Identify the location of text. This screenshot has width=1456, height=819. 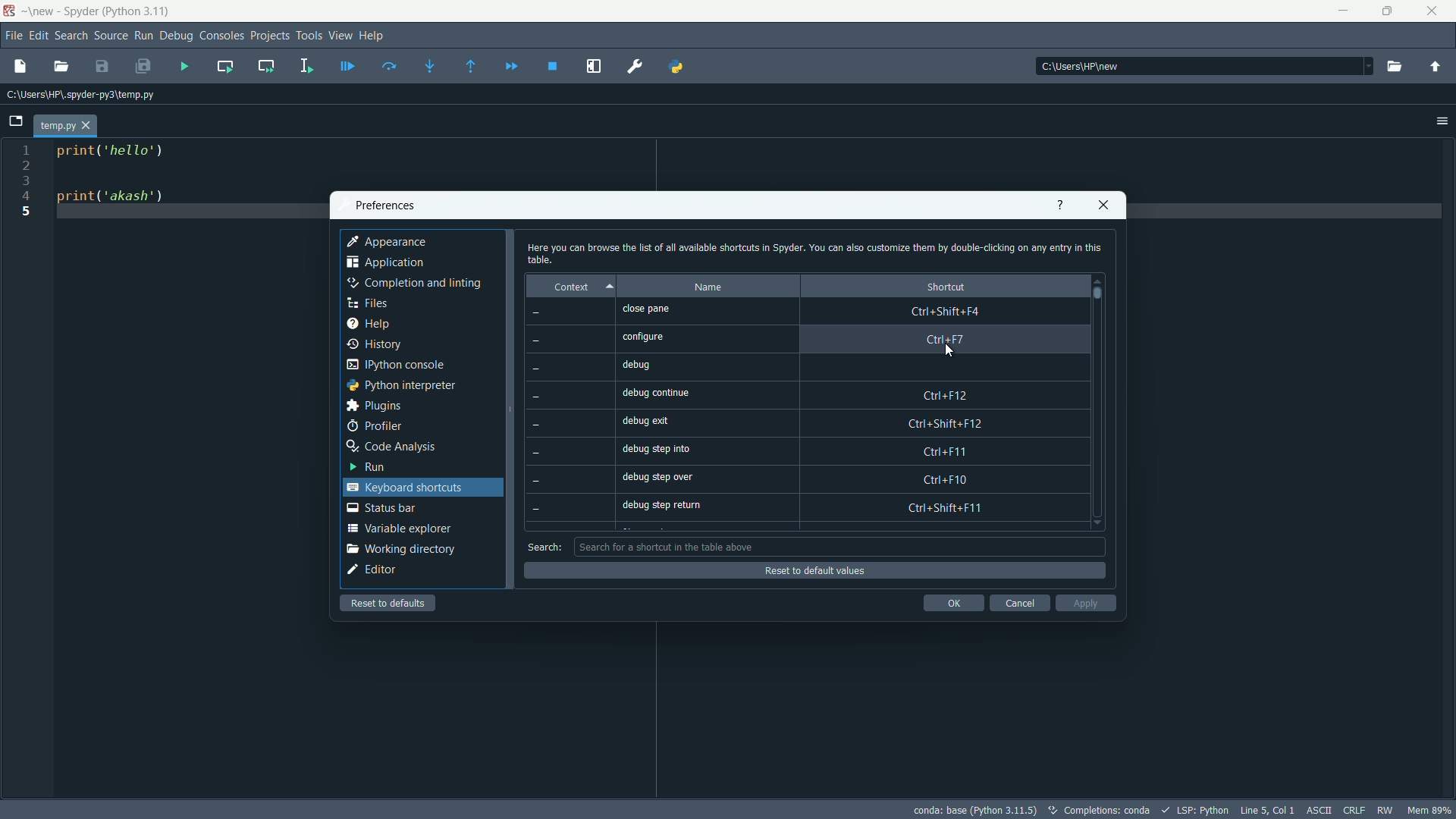
(1107, 811).